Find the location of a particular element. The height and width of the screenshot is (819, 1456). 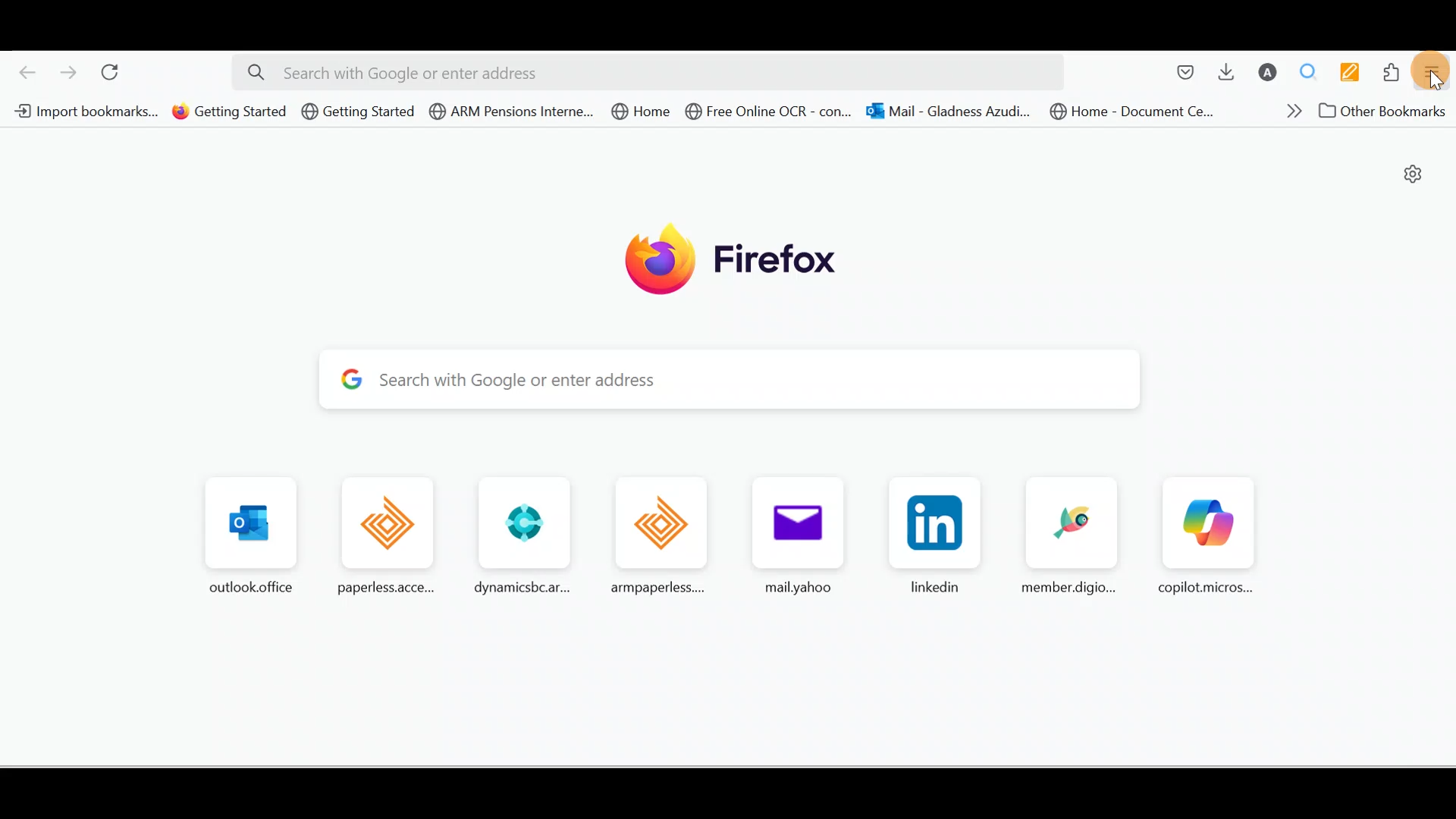

Cursor is located at coordinates (1439, 78).